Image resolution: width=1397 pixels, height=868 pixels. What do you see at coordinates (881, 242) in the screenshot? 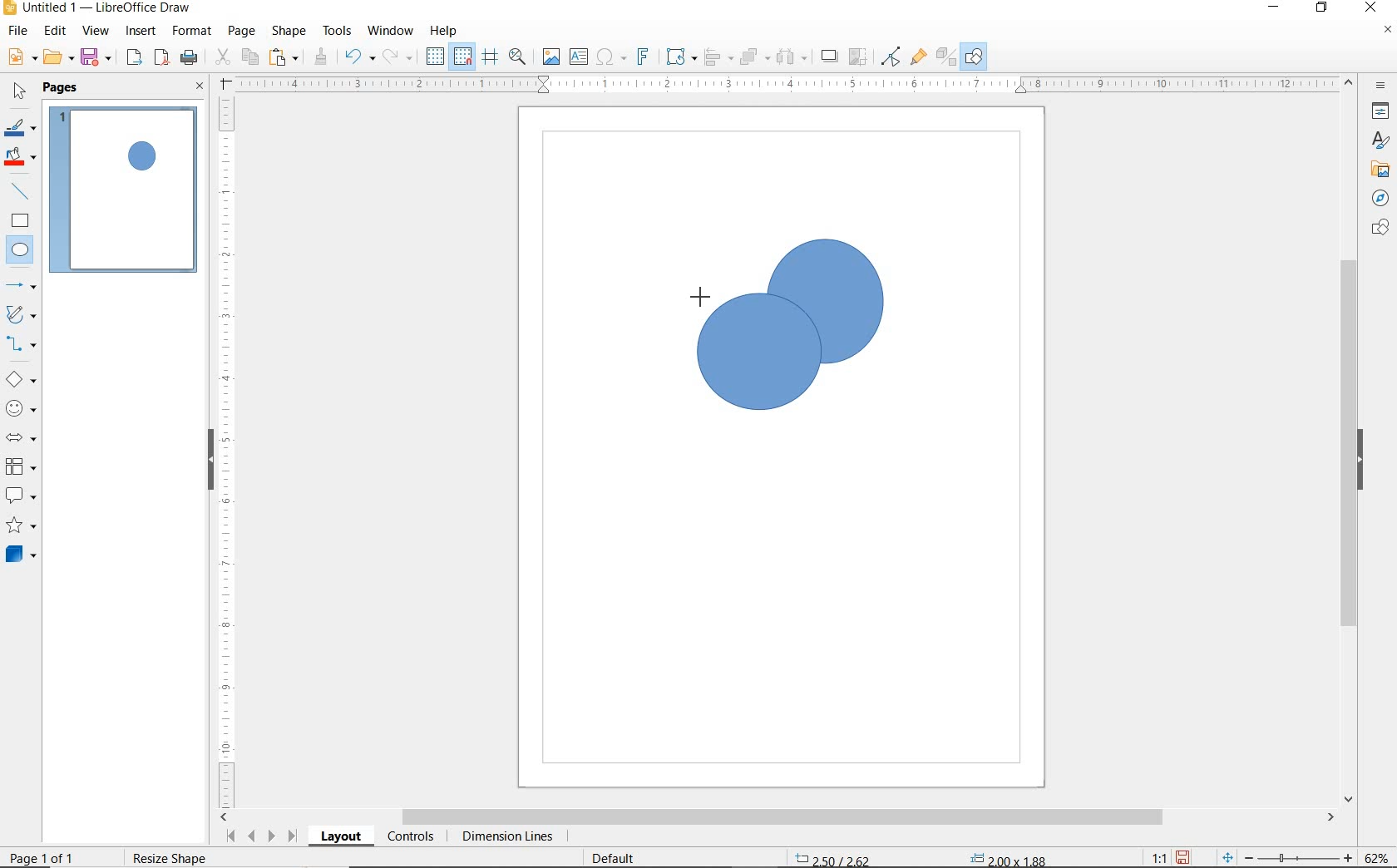
I see `ELLIPSE TOO AT DRAG` at bounding box center [881, 242].